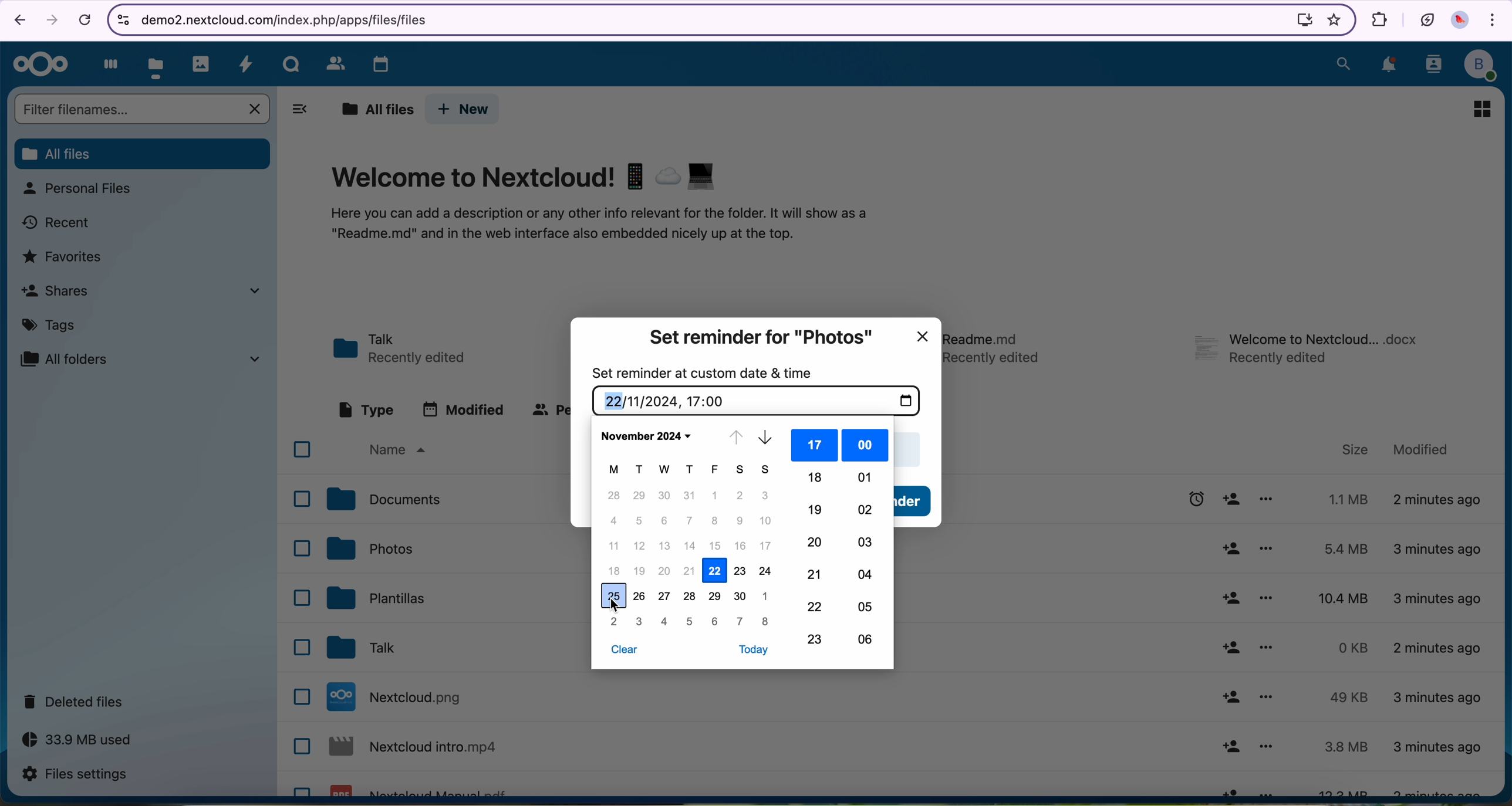  What do you see at coordinates (769, 439) in the screenshot?
I see `down` at bounding box center [769, 439].